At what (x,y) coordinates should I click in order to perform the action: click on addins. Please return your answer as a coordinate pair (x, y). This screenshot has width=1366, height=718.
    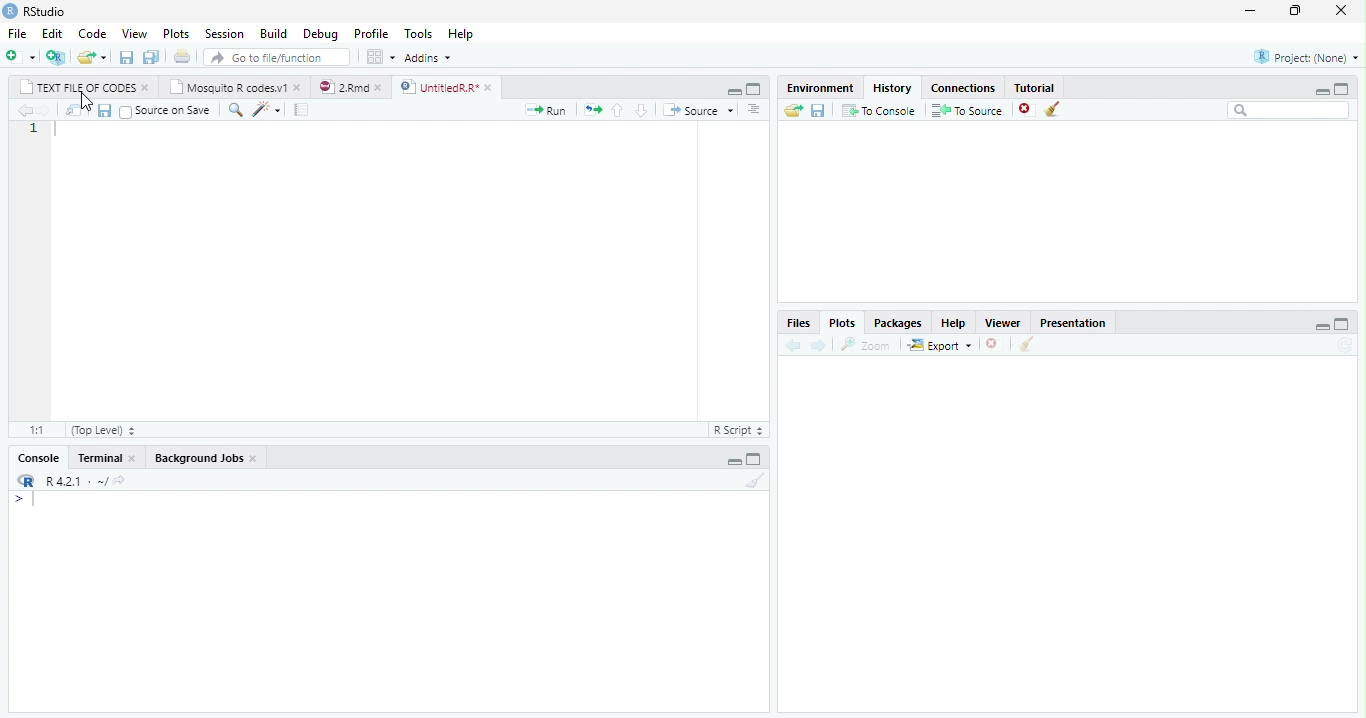
    Looking at the image, I should click on (431, 57).